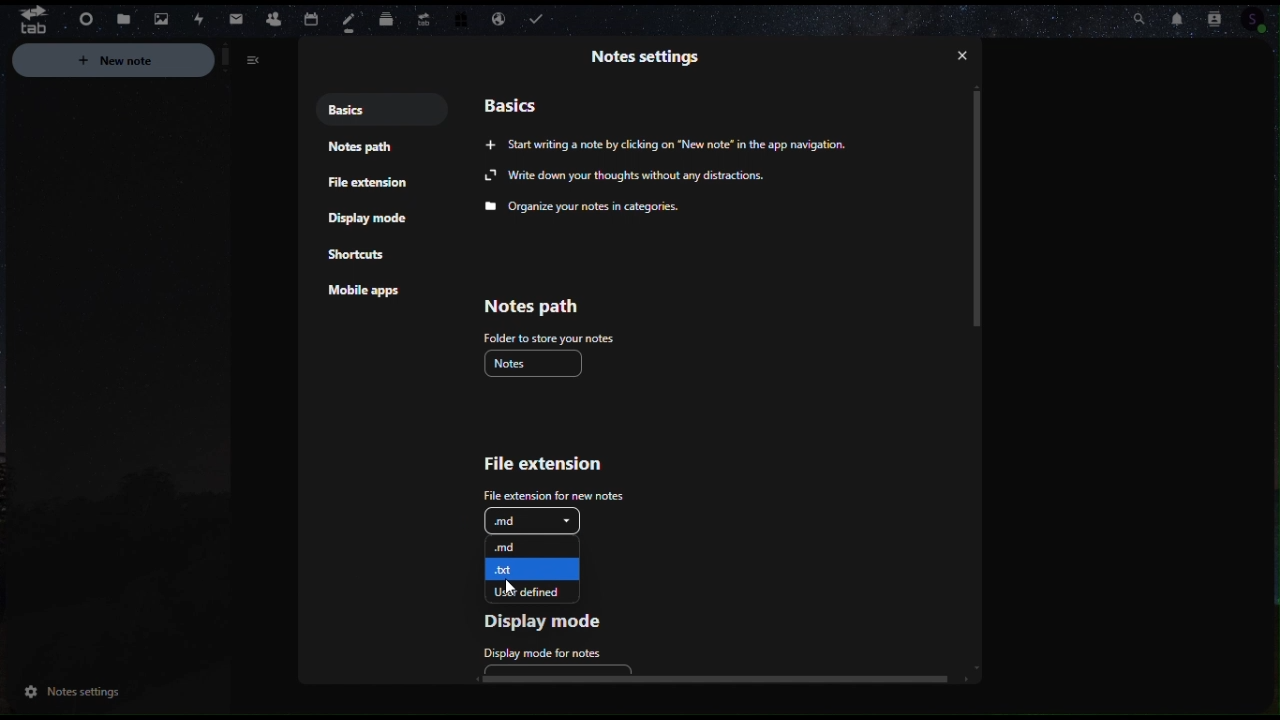 Image resolution: width=1280 pixels, height=720 pixels. Describe the element at coordinates (1134, 15) in the screenshot. I see `Search bar` at that location.